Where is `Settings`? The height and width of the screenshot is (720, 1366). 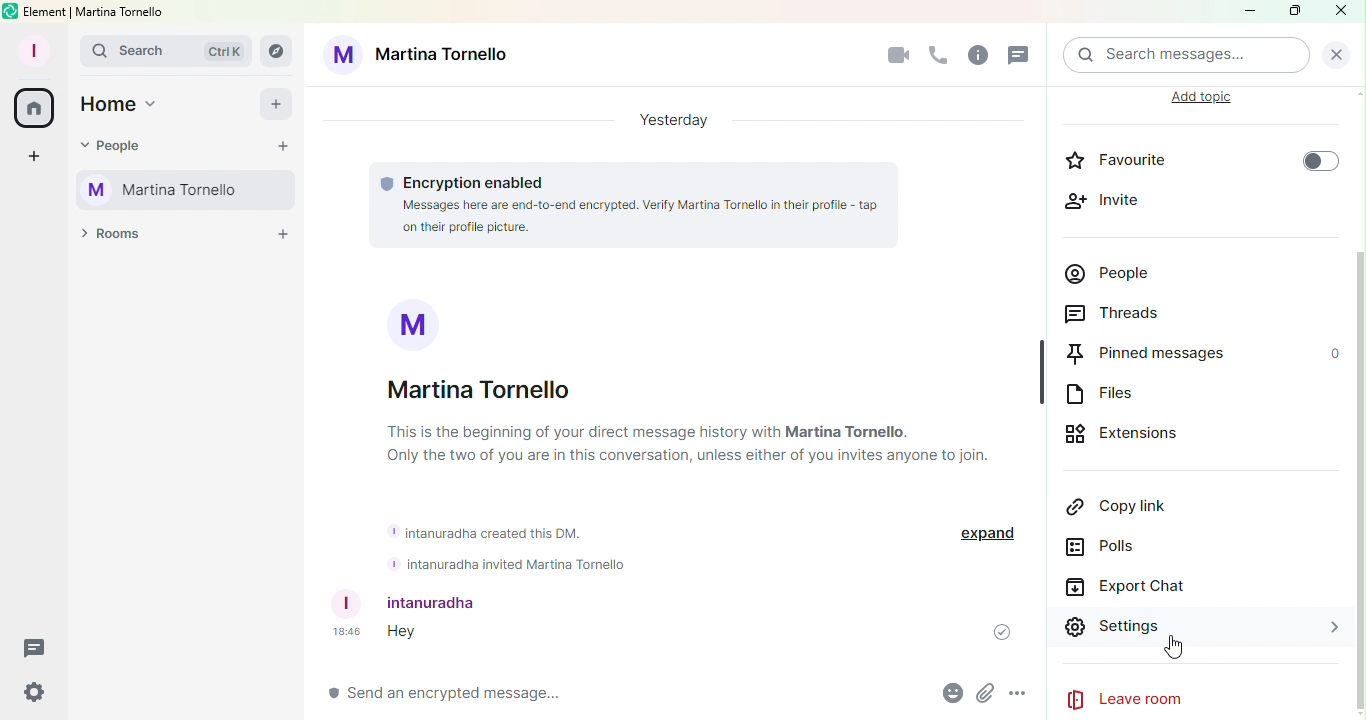 Settings is located at coordinates (1210, 627).